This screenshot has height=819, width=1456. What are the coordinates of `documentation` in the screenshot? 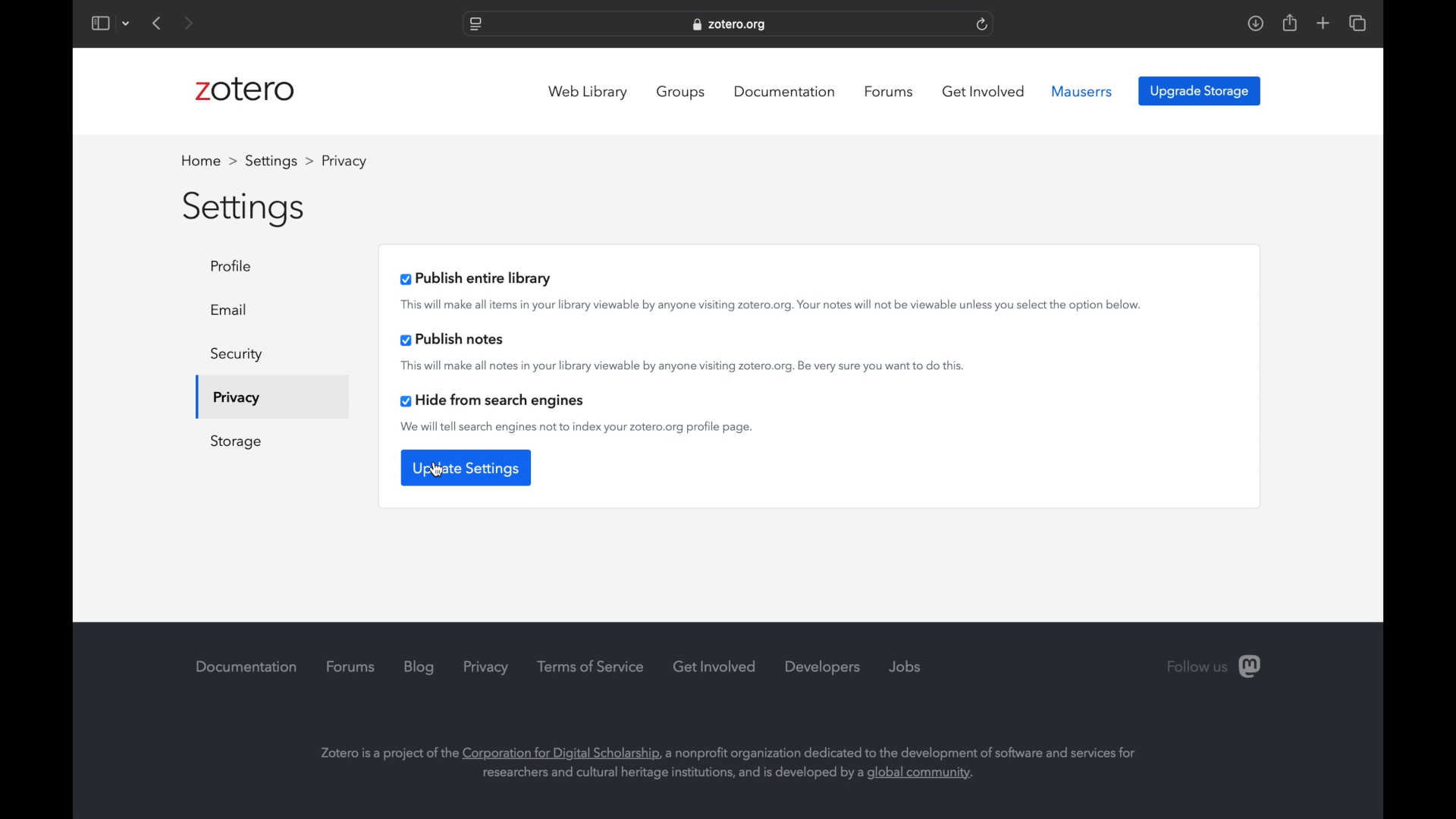 It's located at (246, 666).